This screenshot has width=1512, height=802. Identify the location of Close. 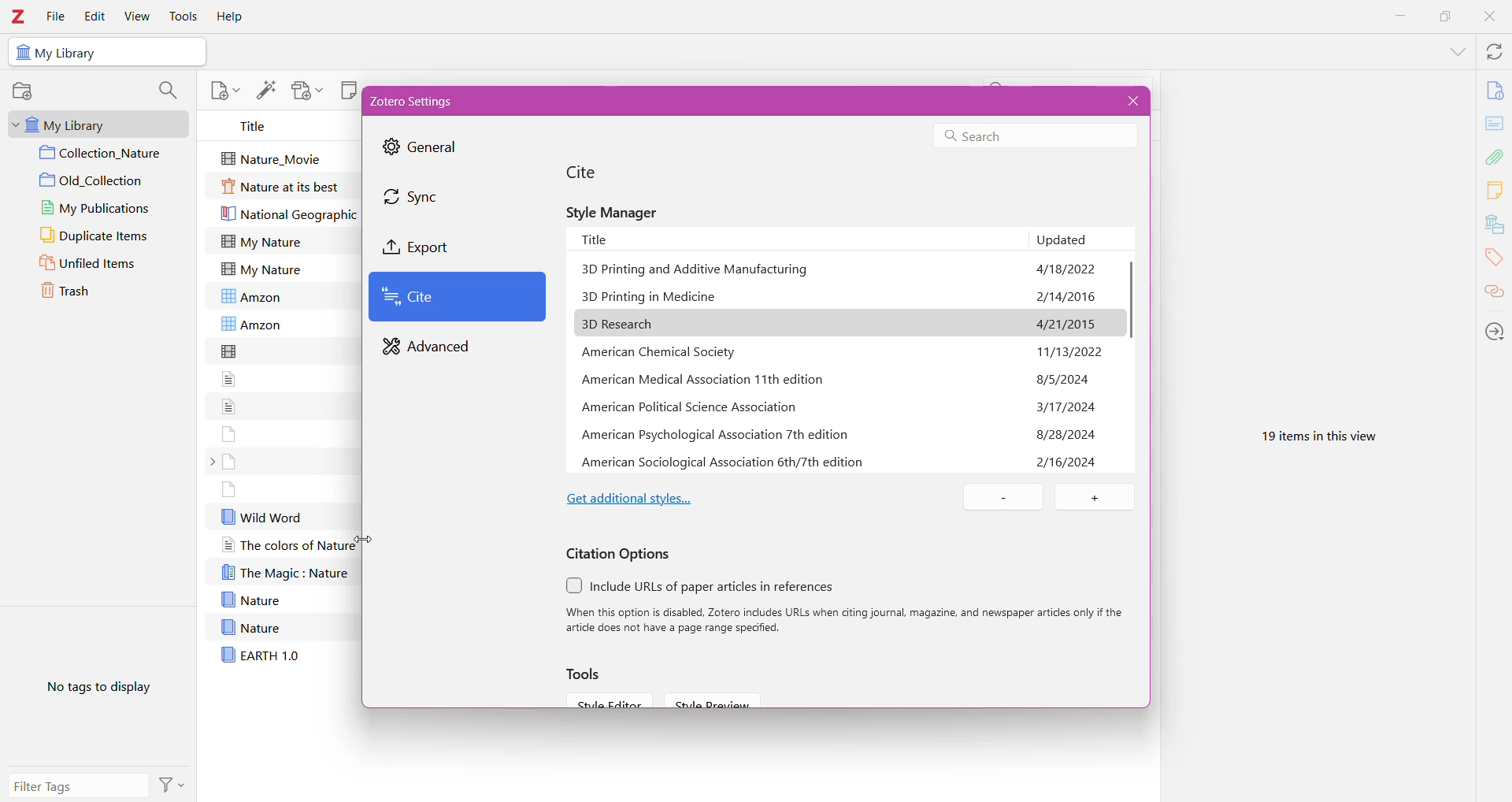
(1488, 18).